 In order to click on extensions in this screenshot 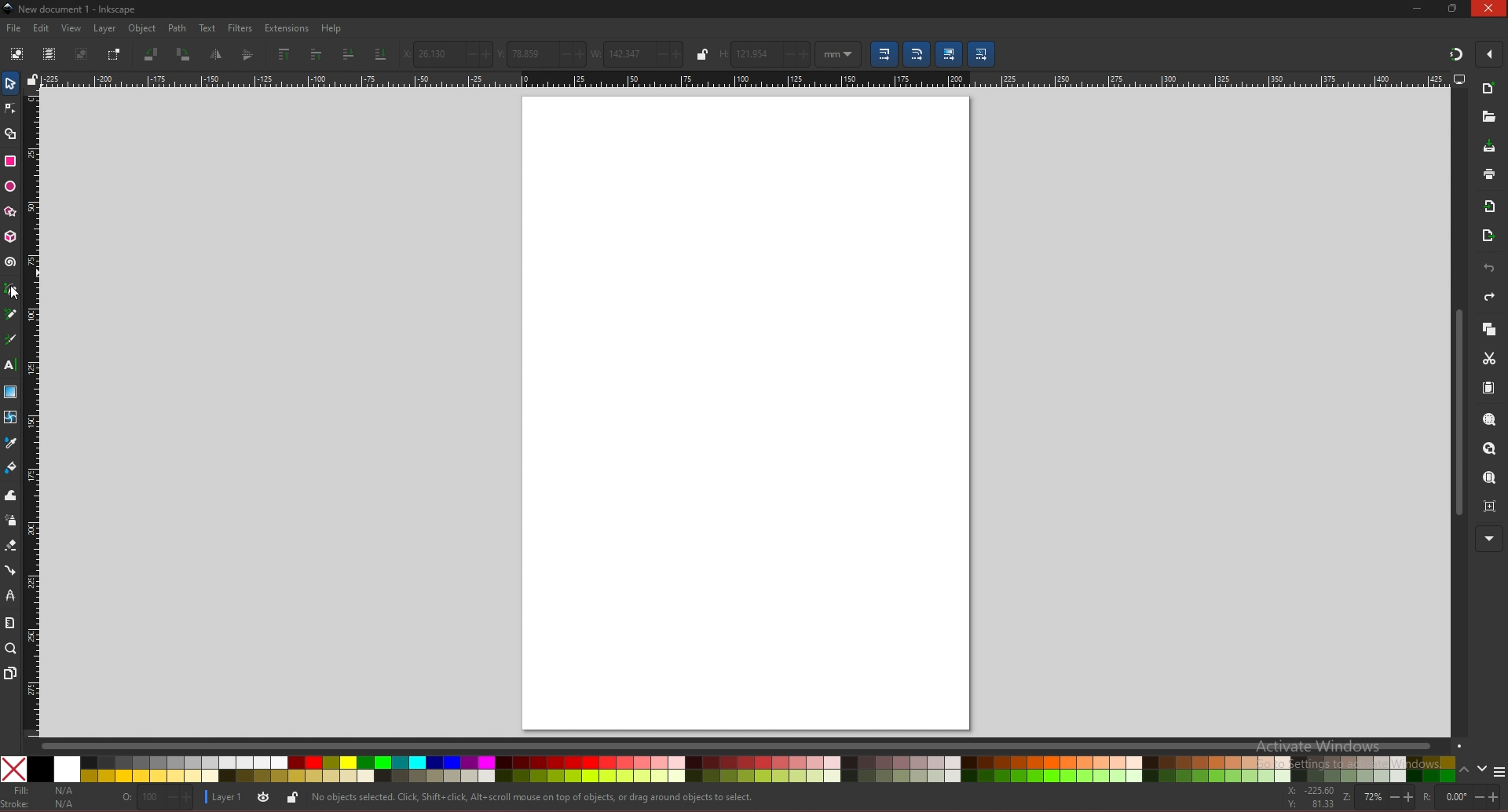, I will do `click(286, 29)`.